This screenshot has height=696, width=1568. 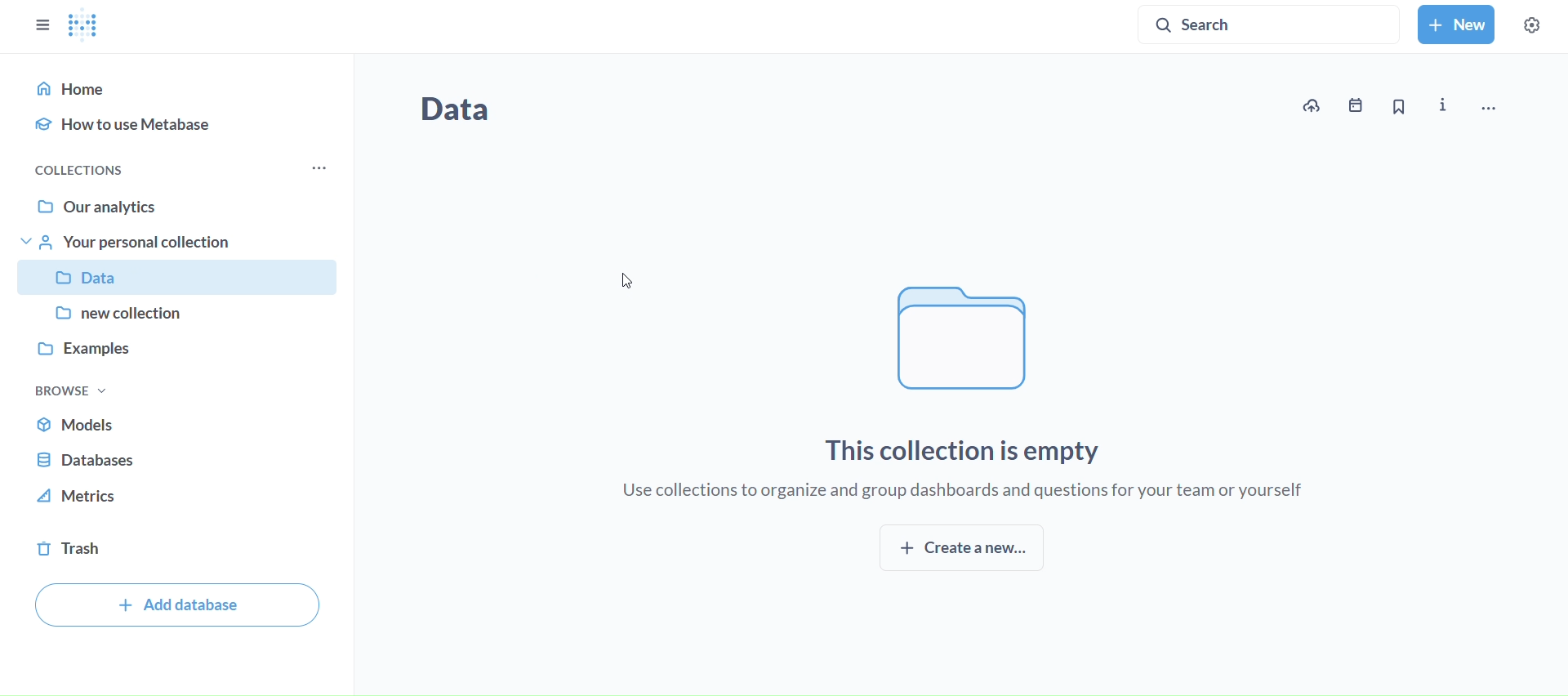 What do you see at coordinates (1443, 105) in the screenshot?
I see `more info` at bounding box center [1443, 105].